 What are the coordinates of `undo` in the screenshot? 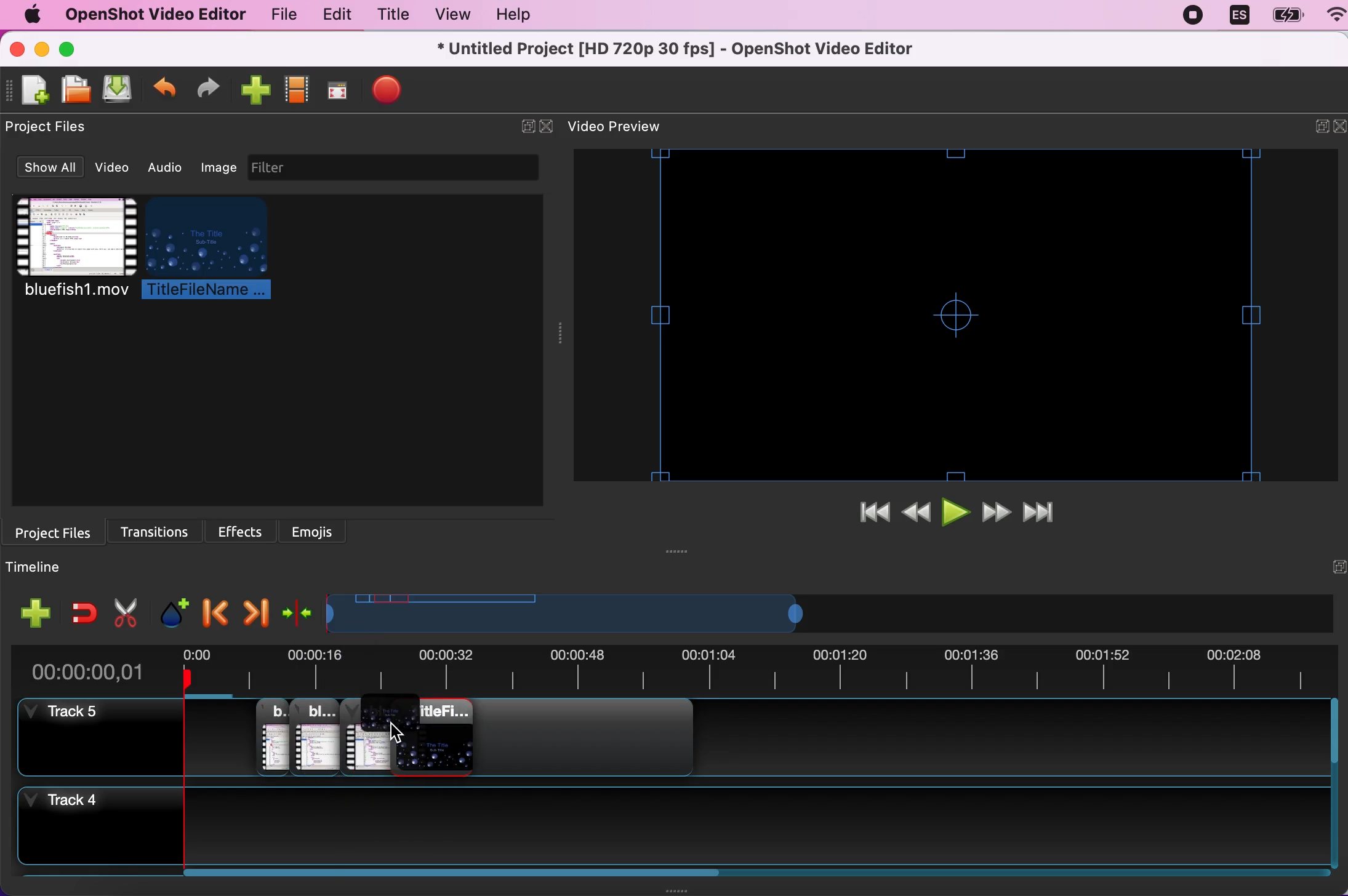 It's located at (165, 92).